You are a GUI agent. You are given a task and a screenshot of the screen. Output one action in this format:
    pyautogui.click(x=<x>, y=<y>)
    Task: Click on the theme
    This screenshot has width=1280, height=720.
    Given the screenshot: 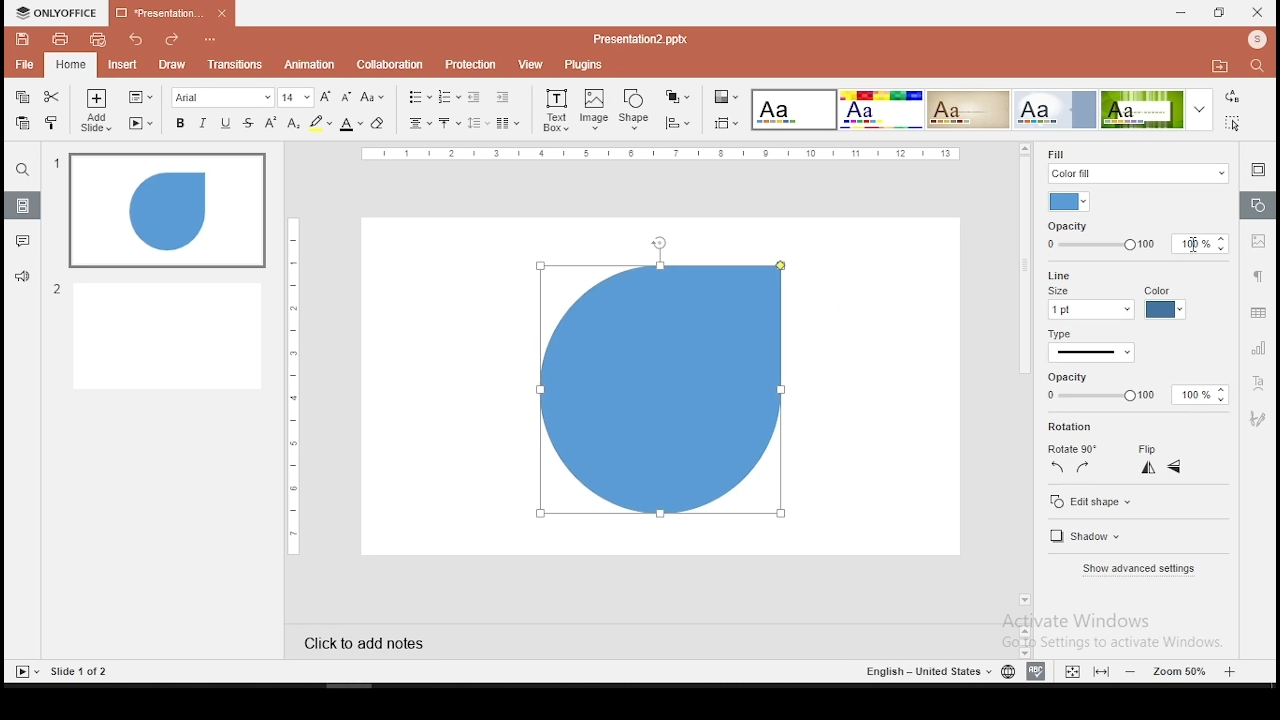 What is the action you would take?
    pyautogui.click(x=792, y=110)
    